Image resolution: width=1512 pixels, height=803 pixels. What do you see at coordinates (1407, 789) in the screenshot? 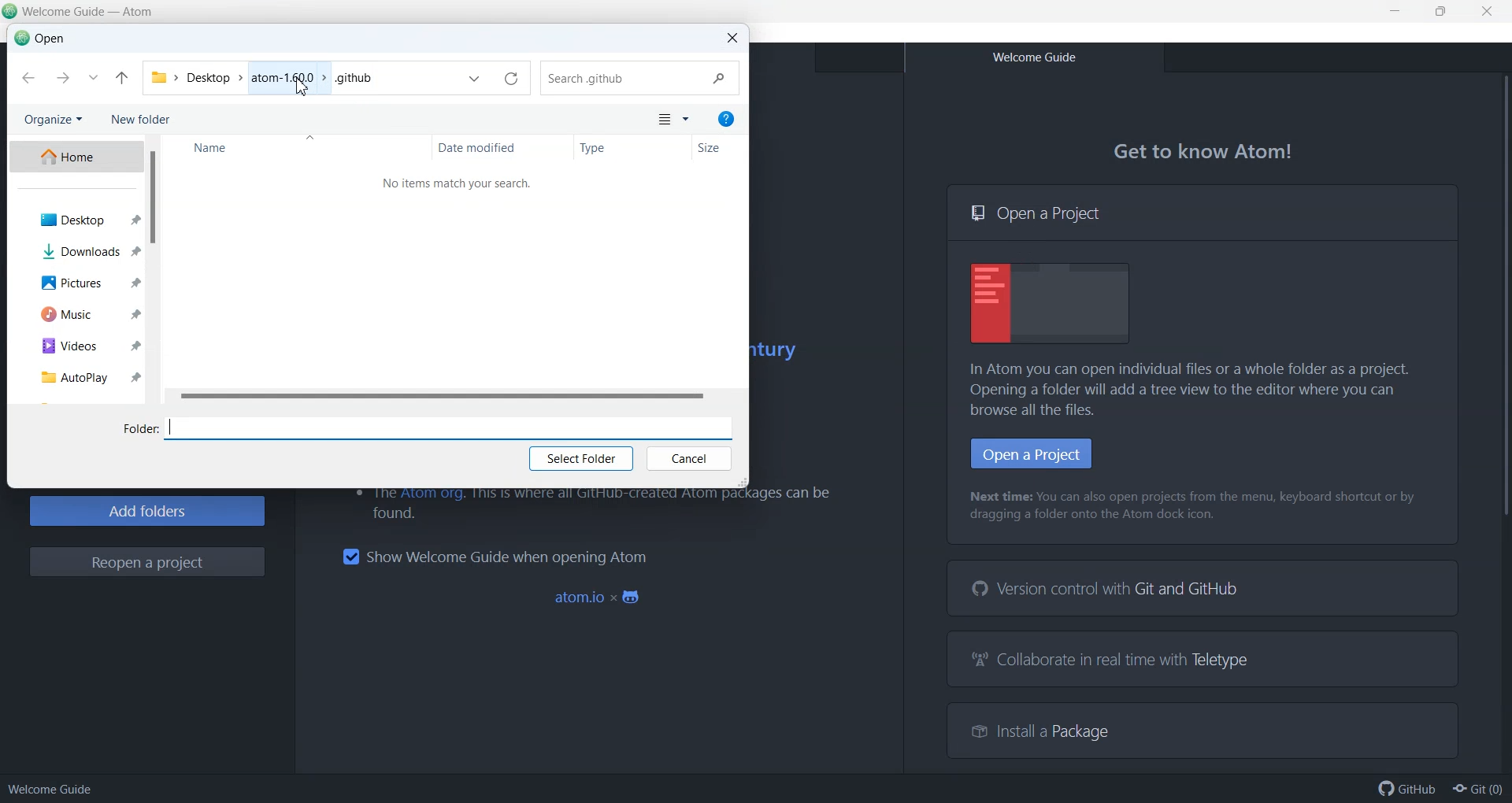
I see `GitHub` at bounding box center [1407, 789].